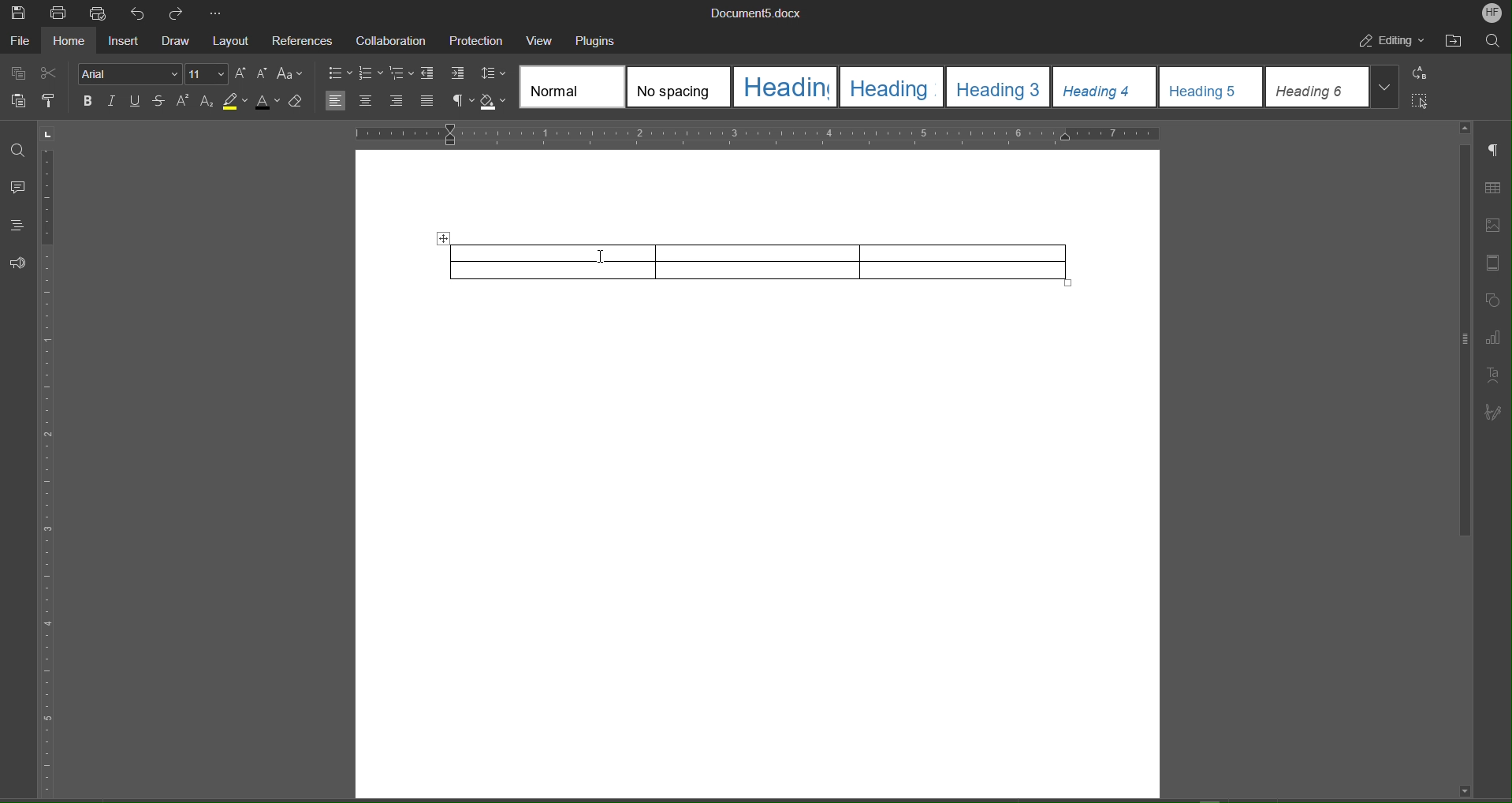 The height and width of the screenshot is (803, 1512). What do you see at coordinates (1464, 790) in the screenshot?
I see `scroll down` at bounding box center [1464, 790].